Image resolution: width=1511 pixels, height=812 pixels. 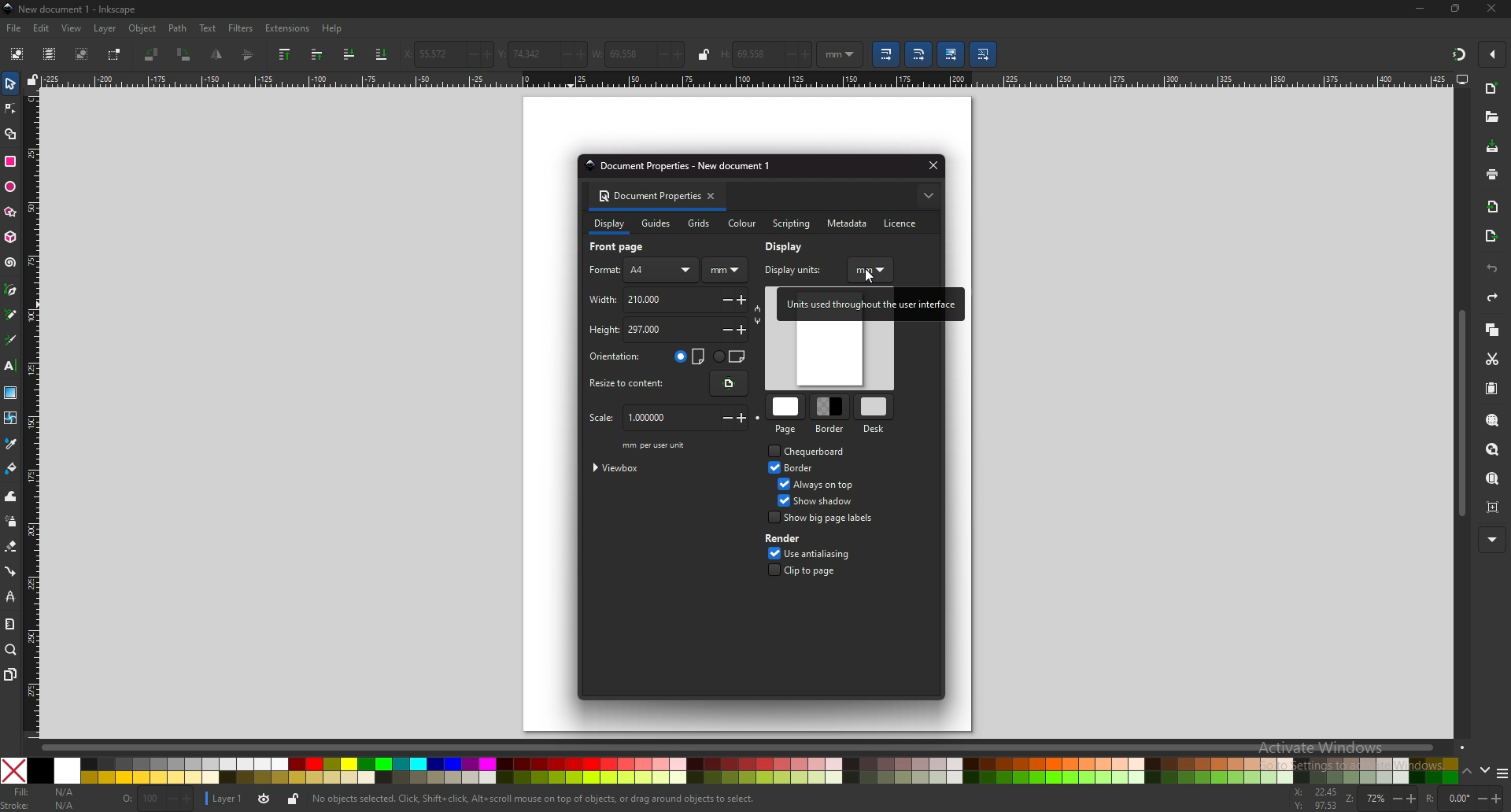 What do you see at coordinates (730, 355) in the screenshot?
I see `landscape` at bounding box center [730, 355].